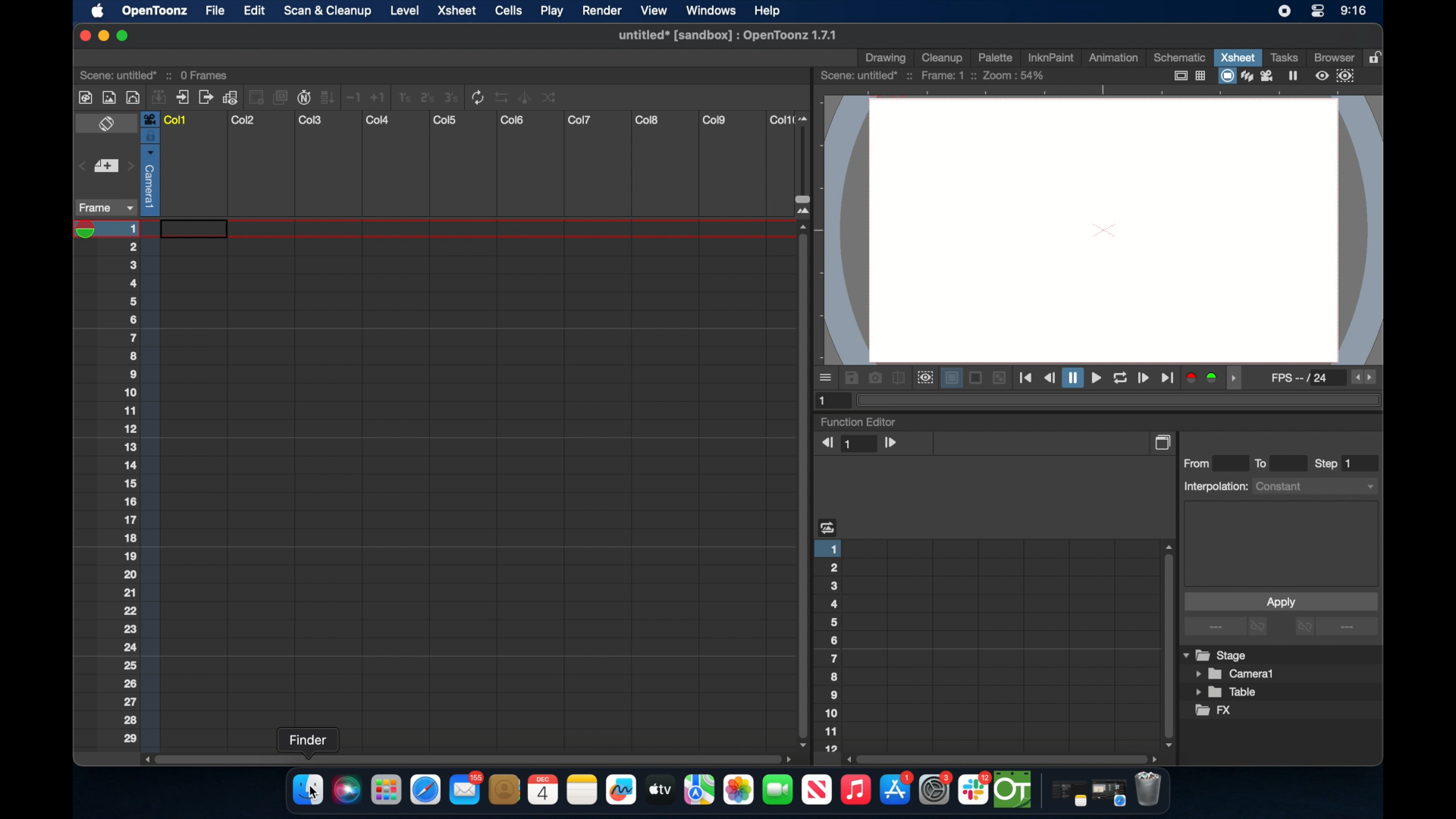 The height and width of the screenshot is (819, 1456). What do you see at coordinates (1114, 58) in the screenshot?
I see `animation` at bounding box center [1114, 58].